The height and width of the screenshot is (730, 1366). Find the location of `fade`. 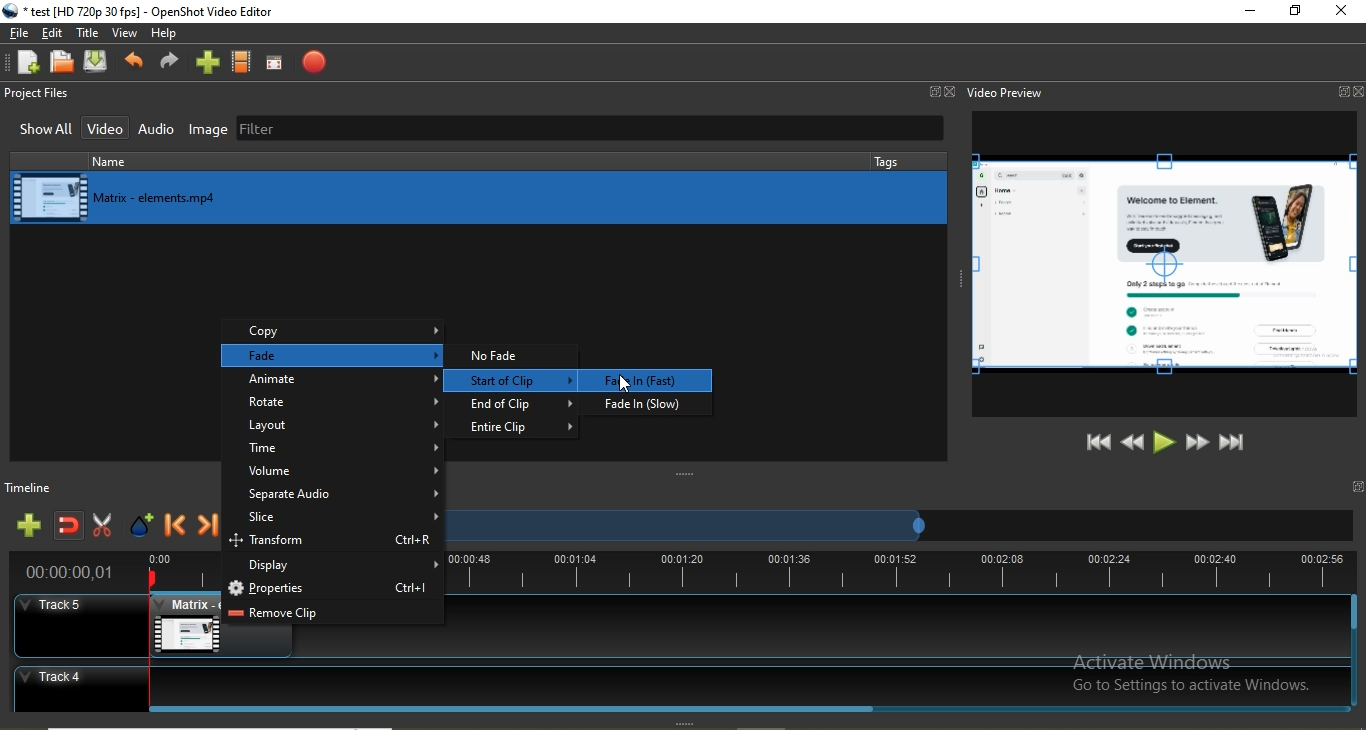

fade is located at coordinates (335, 356).